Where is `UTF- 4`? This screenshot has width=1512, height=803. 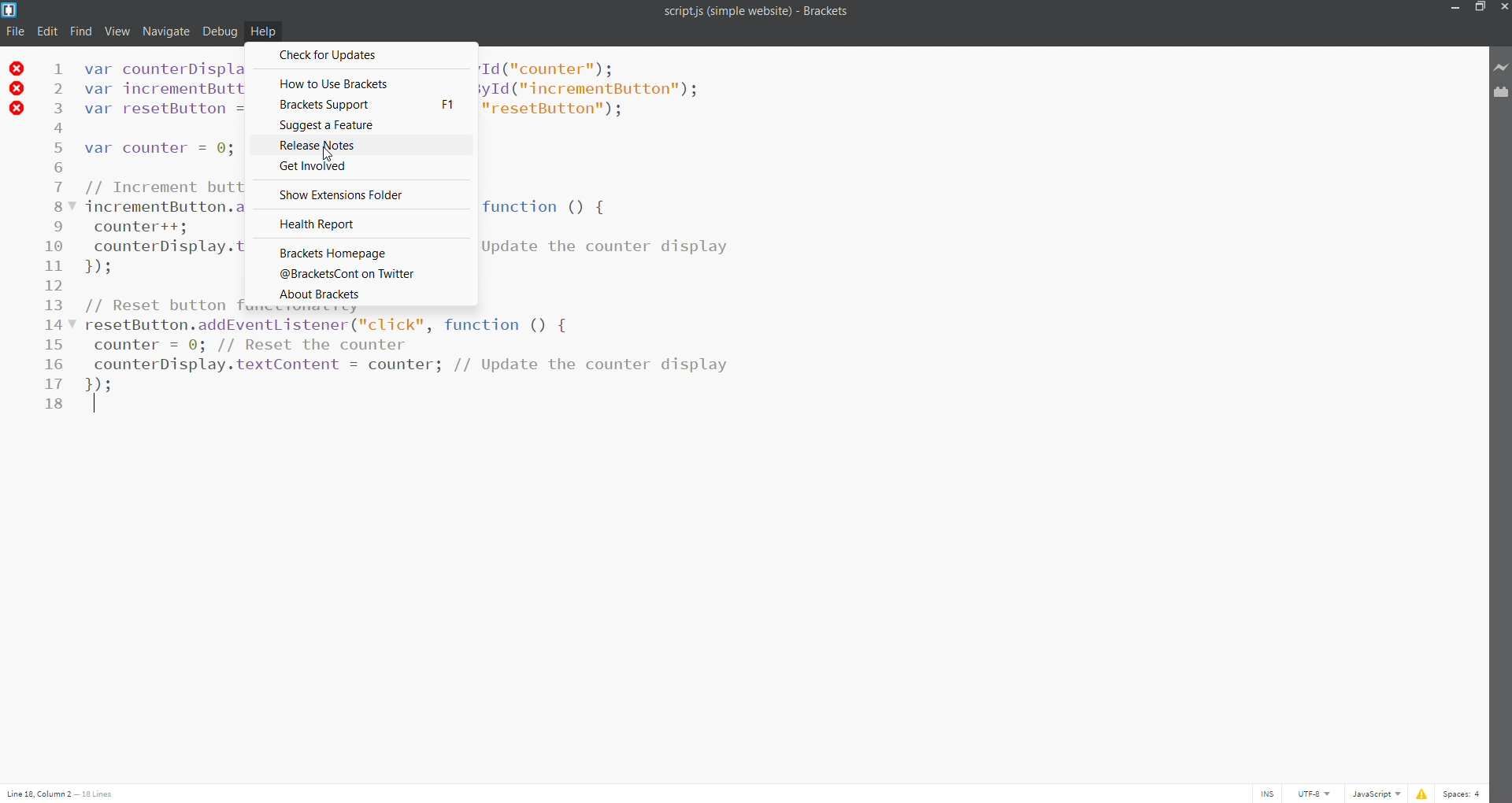 UTF- 4 is located at coordinates (1319, 794).